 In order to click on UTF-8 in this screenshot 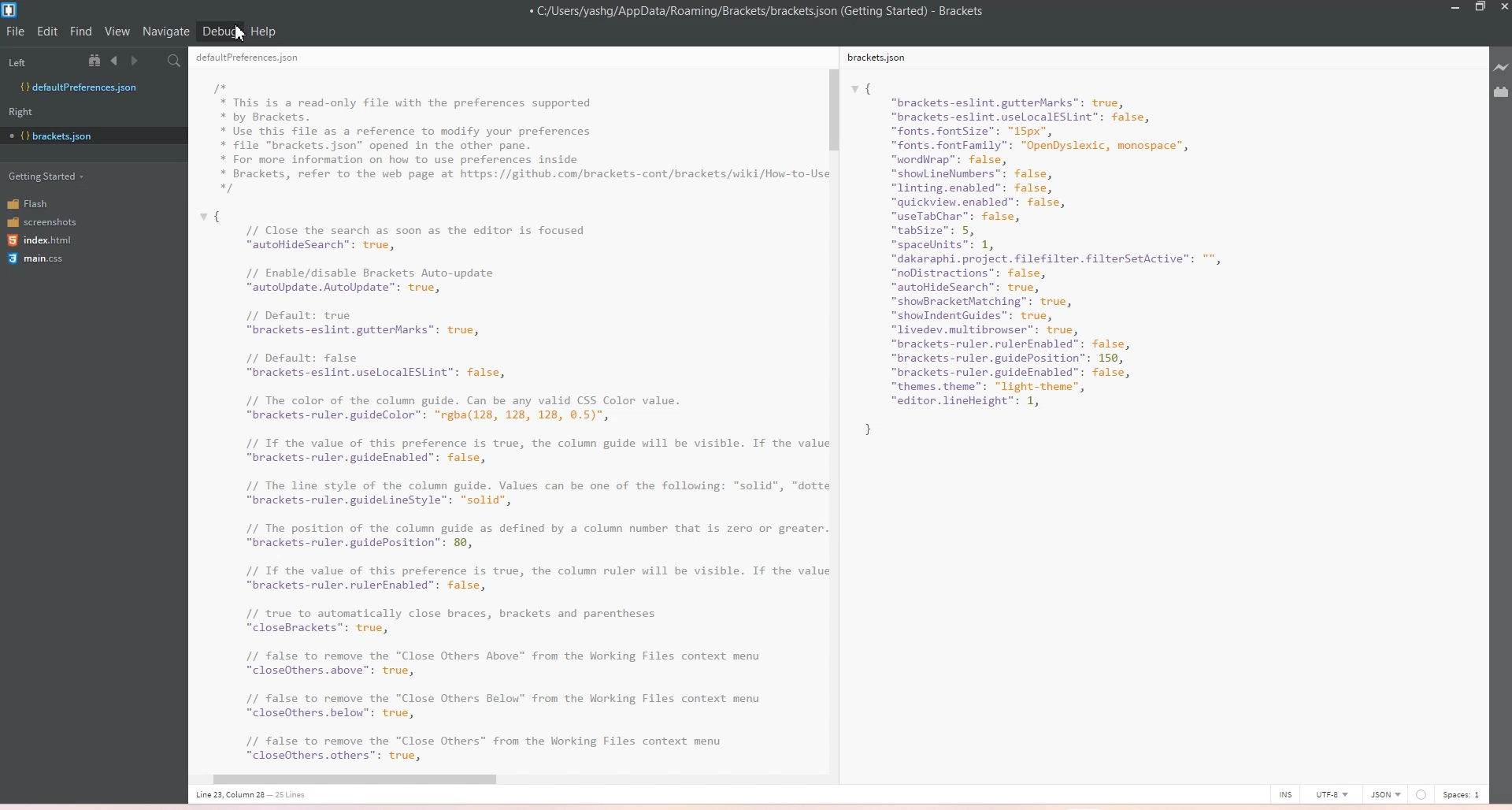, I will do `click(1331, 793)`.